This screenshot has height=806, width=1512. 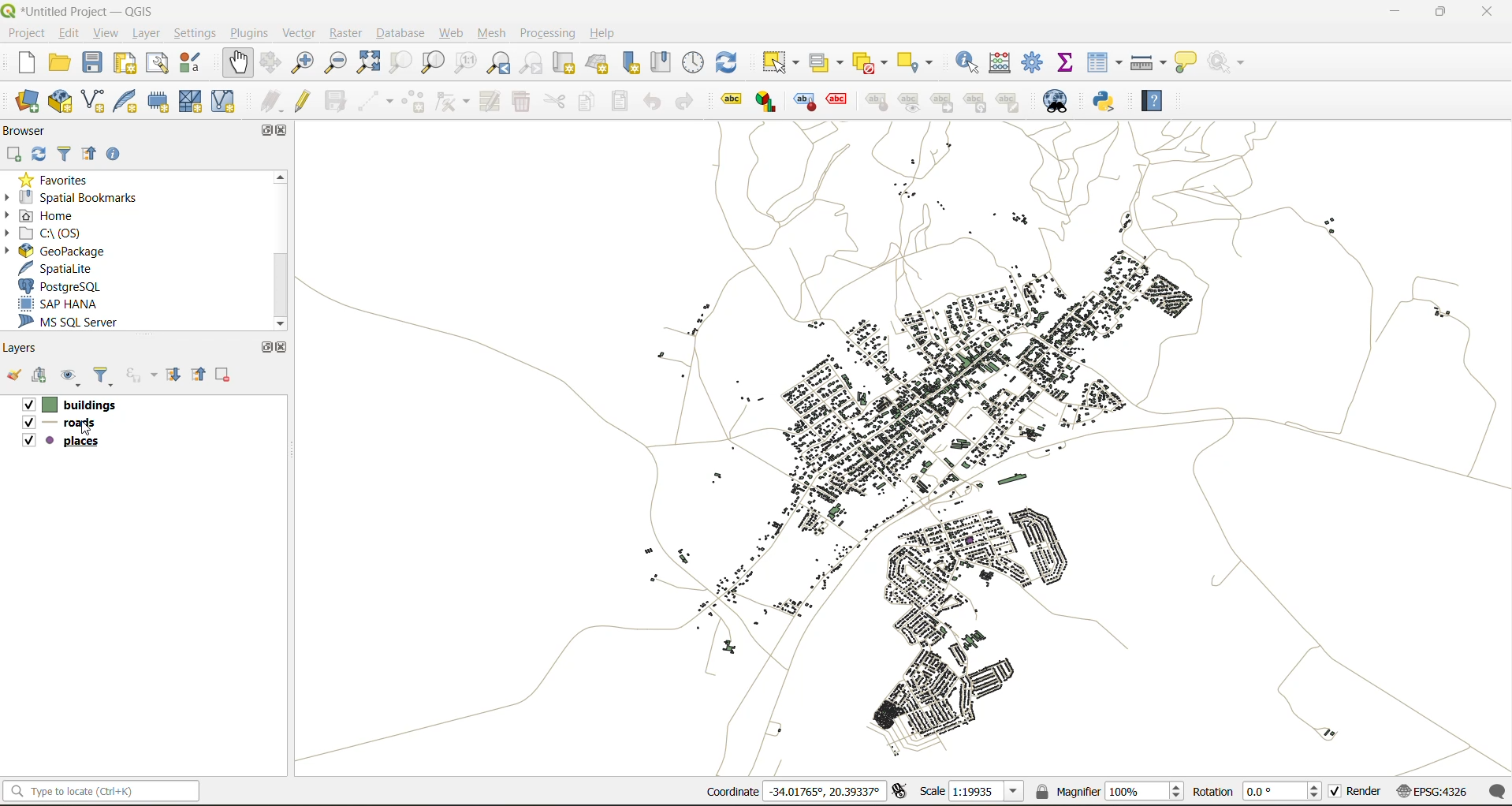 I want to click on expand all, so click(x=172, y=375).